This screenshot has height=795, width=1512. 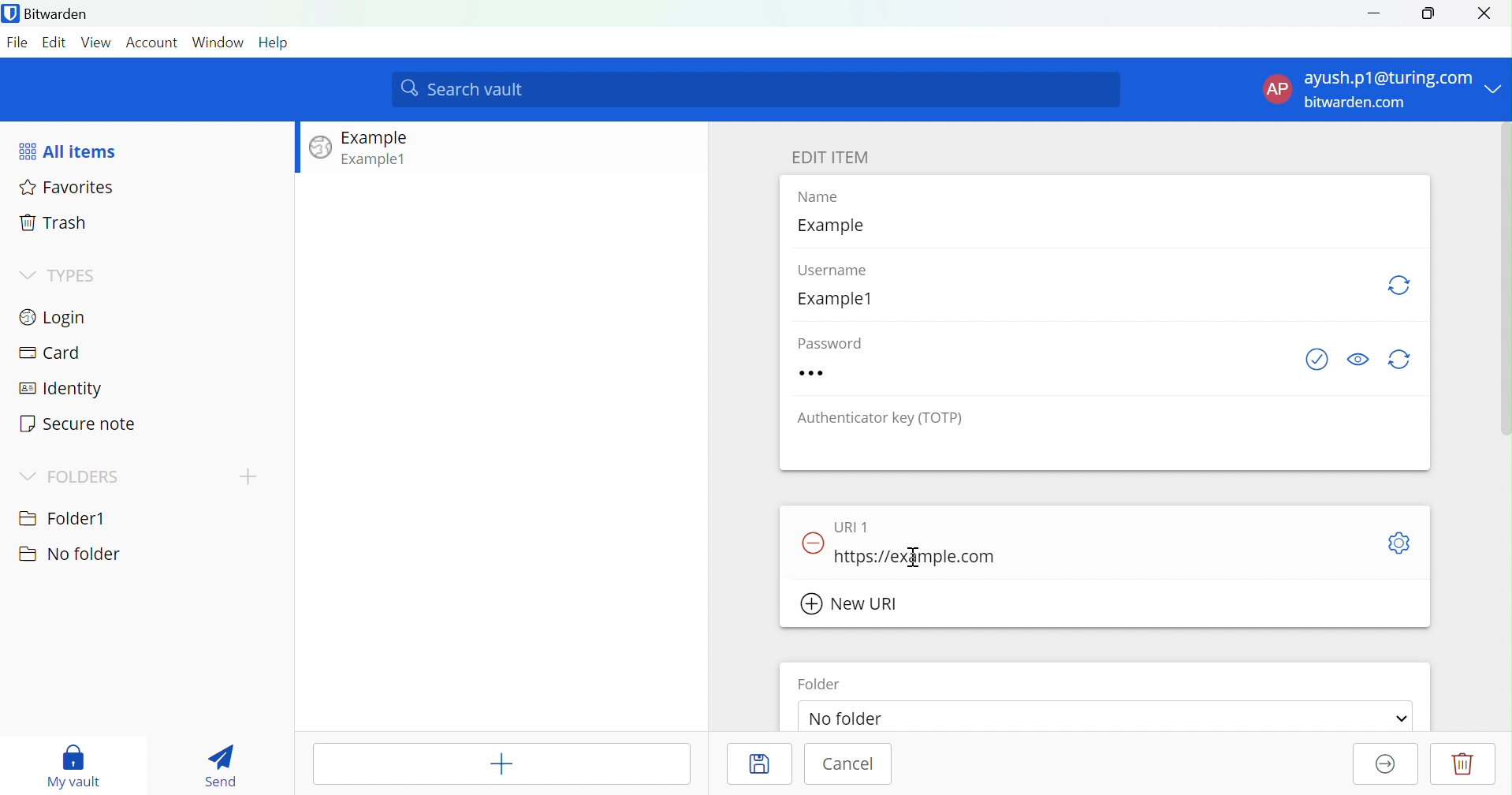 What do you see at coordinates (78, 424) in the screenshot?
I see `Secure note` at bounding box center [78, 424].